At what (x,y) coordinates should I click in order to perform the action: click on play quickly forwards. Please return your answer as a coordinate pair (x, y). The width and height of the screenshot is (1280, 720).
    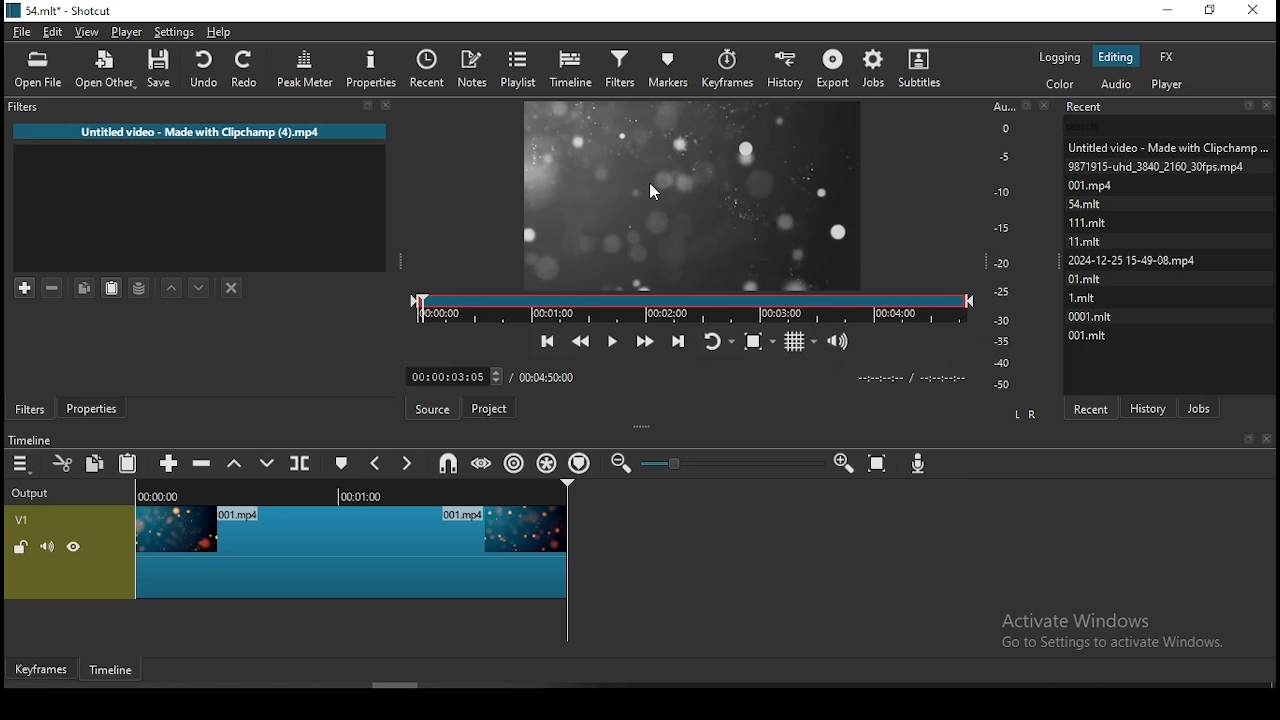
    Looking at the image, I should click on (642, 339).